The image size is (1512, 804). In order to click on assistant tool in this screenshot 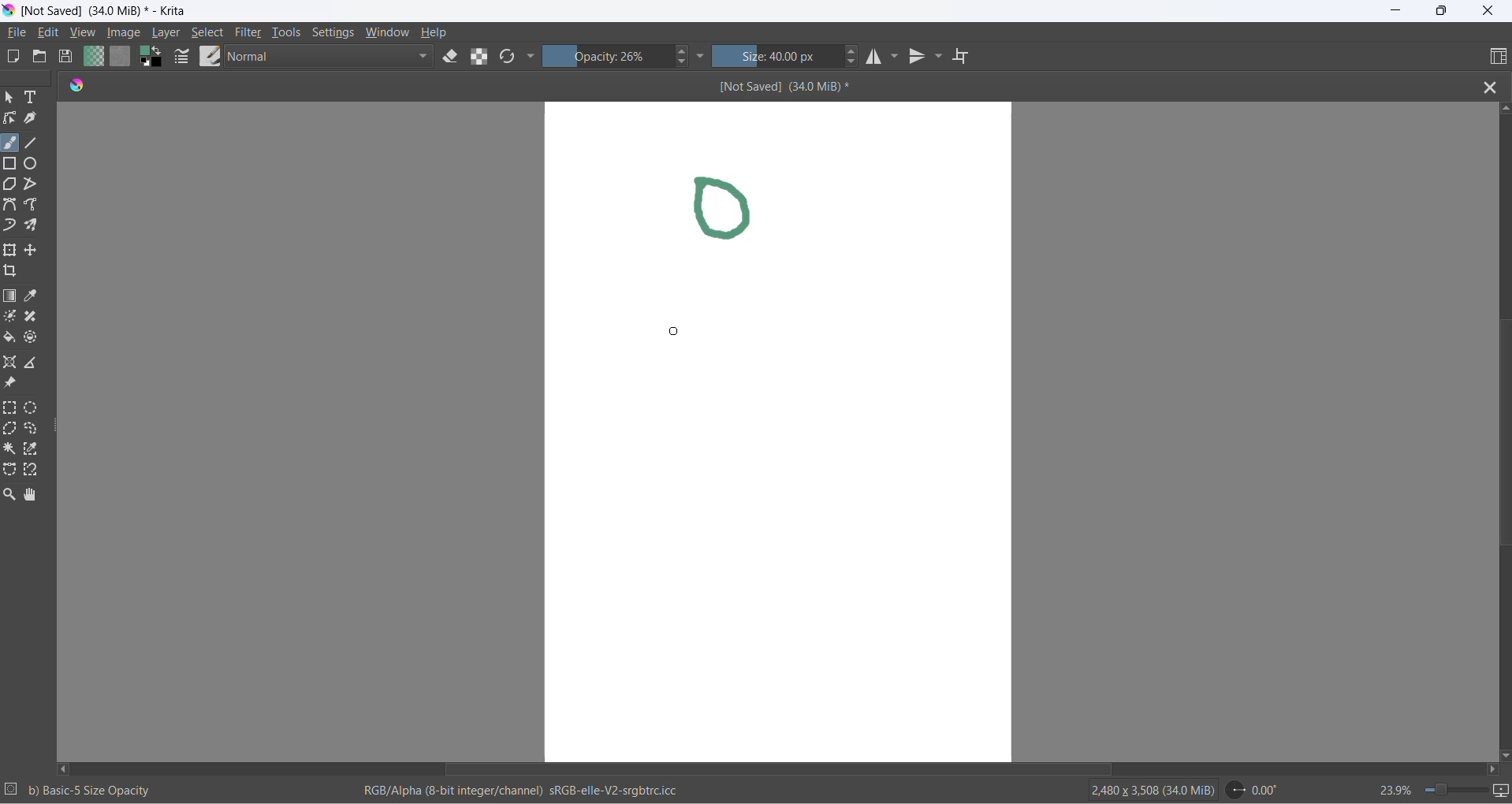, I will do `click(12, 362)`.